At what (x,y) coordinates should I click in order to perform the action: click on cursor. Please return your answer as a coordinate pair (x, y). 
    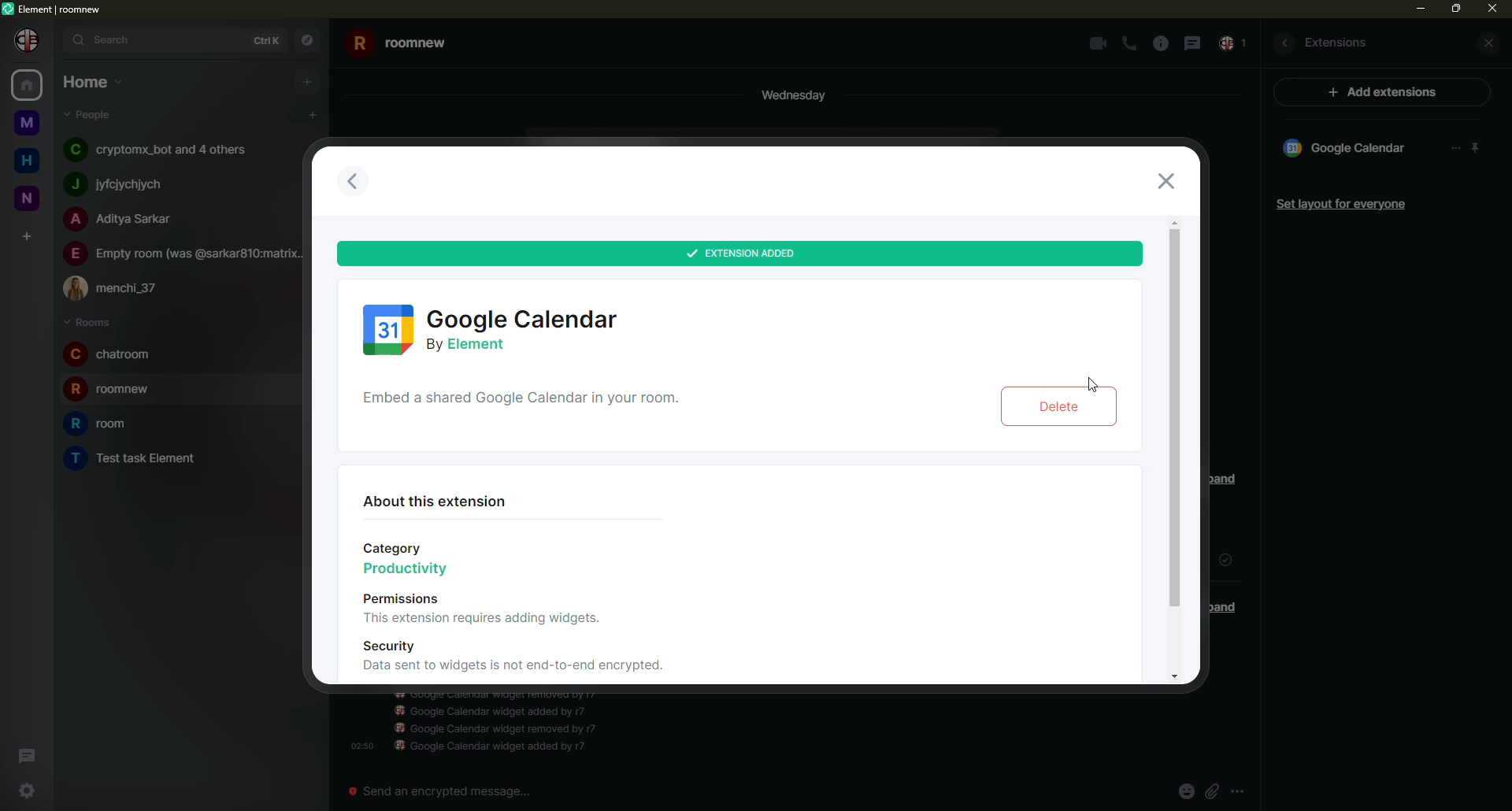
    Looking at the image, I should click on (1096, 387).